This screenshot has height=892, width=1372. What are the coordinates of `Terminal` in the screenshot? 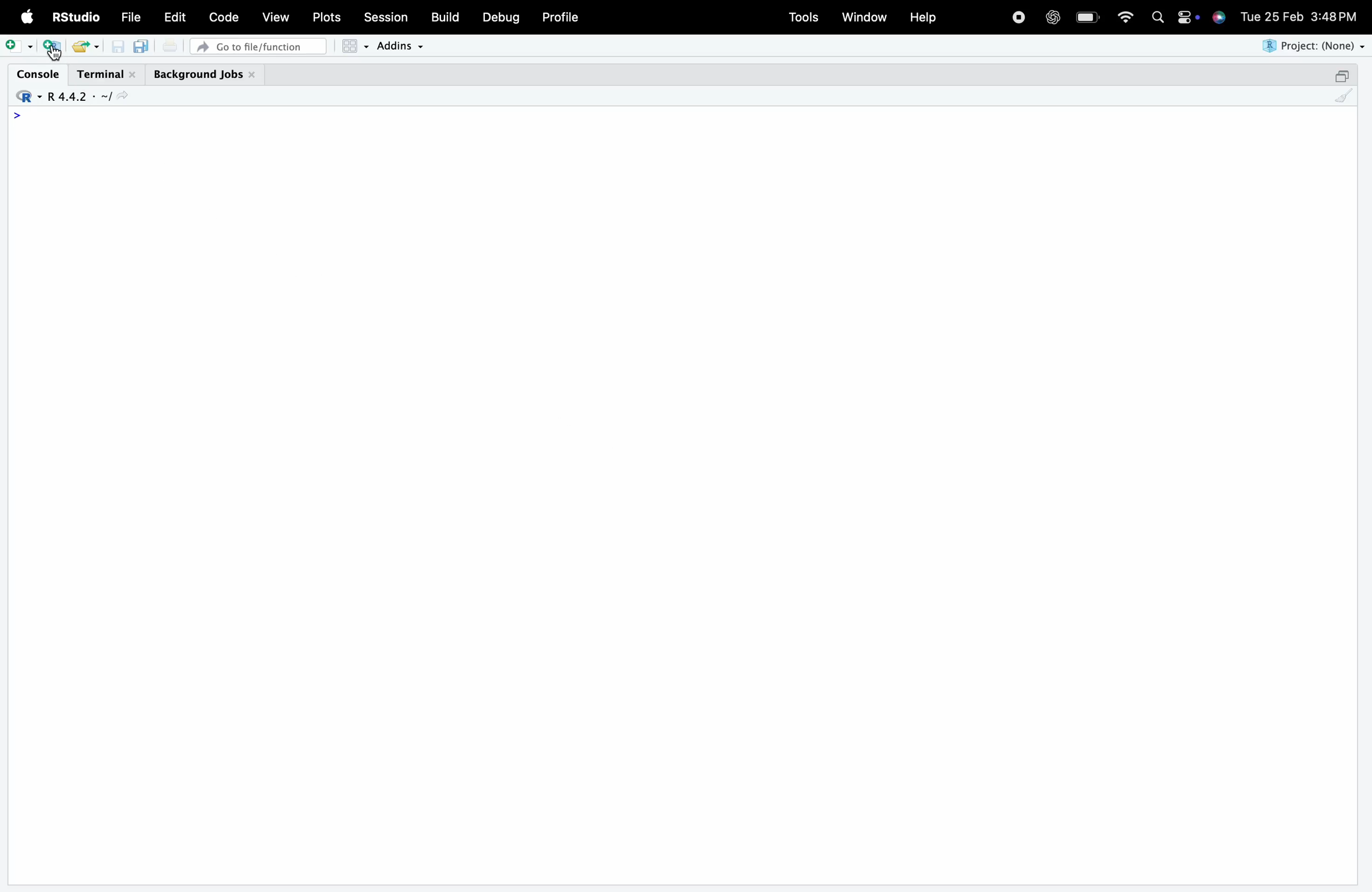 It's located at (107, 75).